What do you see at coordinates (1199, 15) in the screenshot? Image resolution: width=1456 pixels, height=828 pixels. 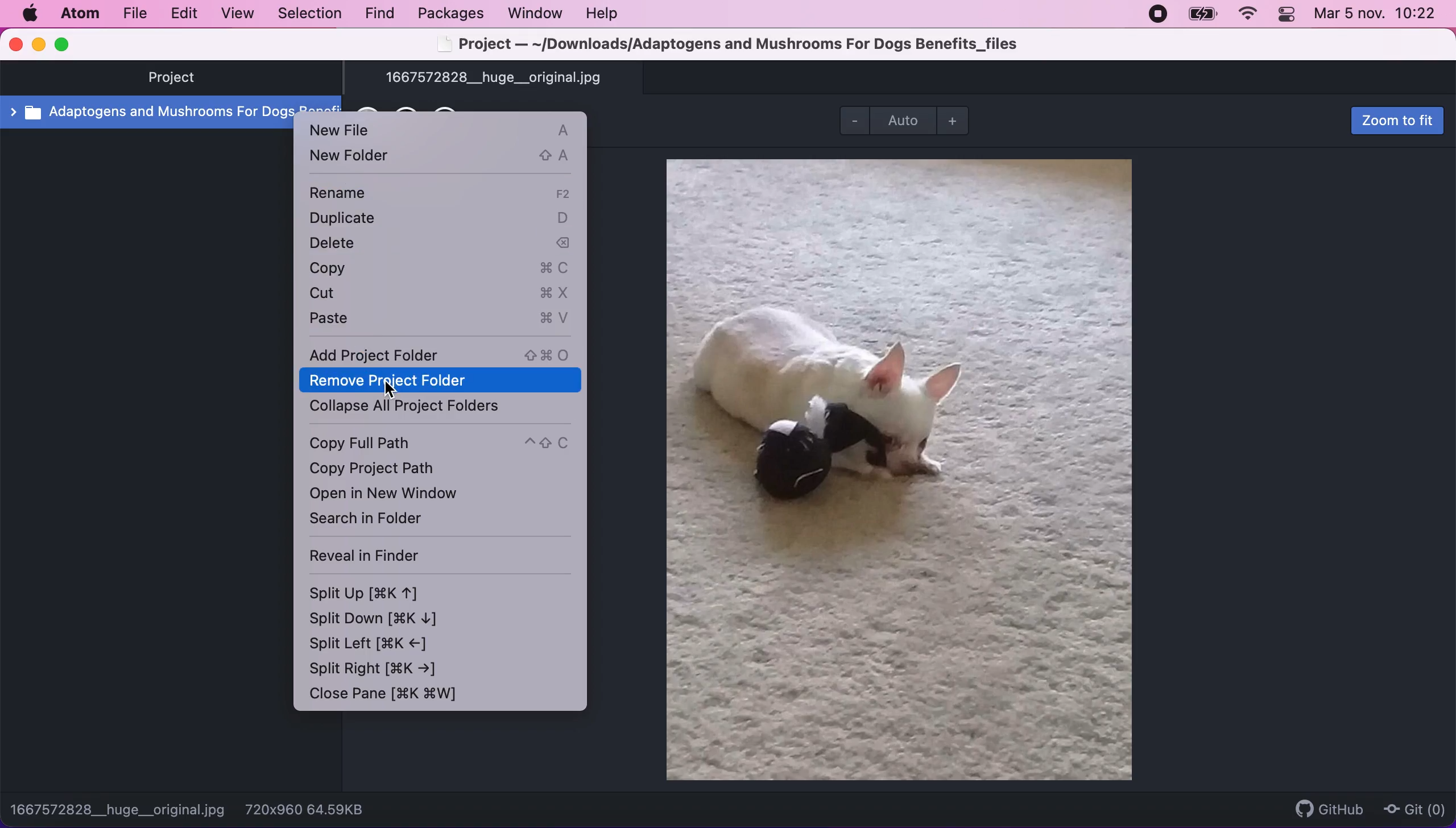 I see `battery` at bounding box center [1199, 15].